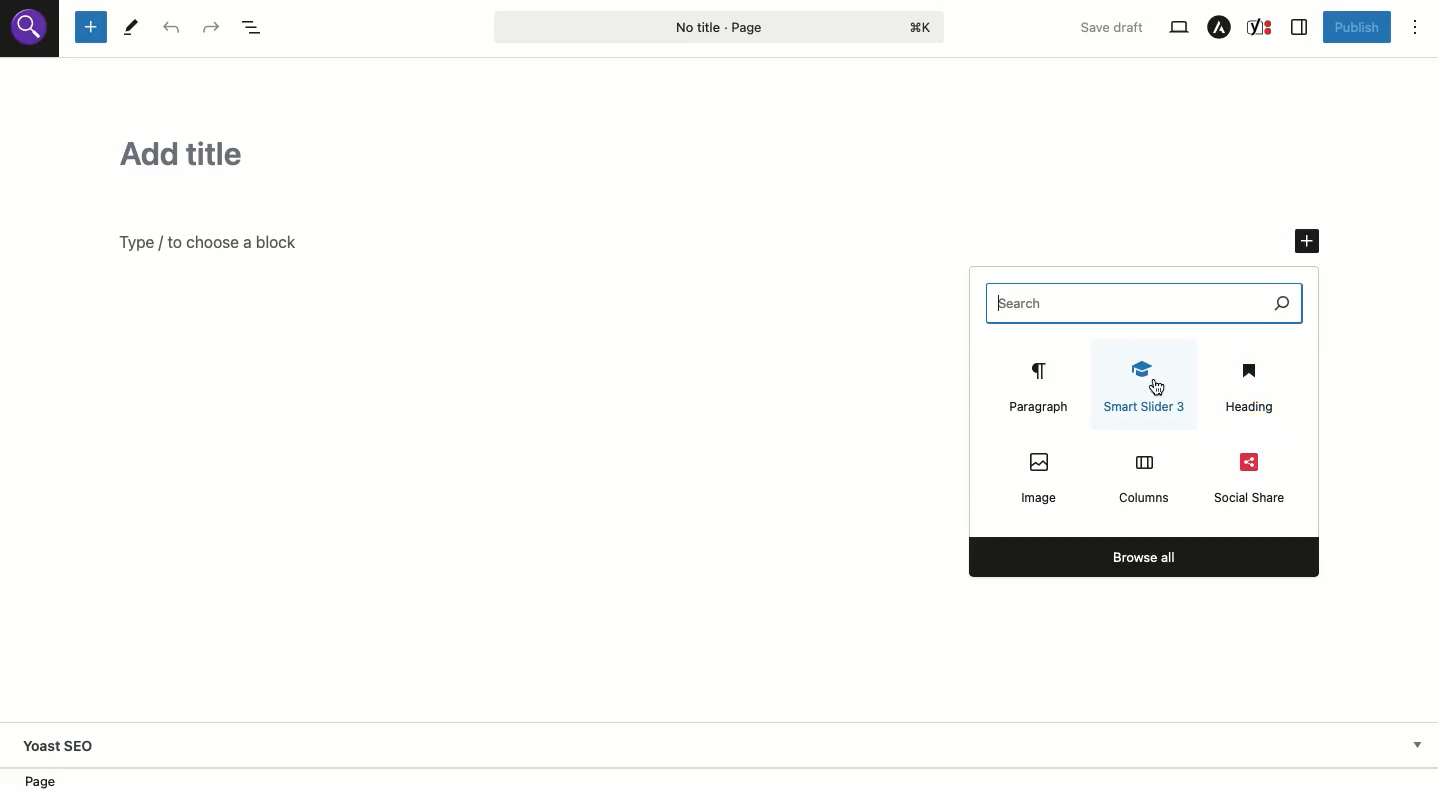  Describe the element at coordinates (171, 27) in the screenshot. I see `Undo` at that location.